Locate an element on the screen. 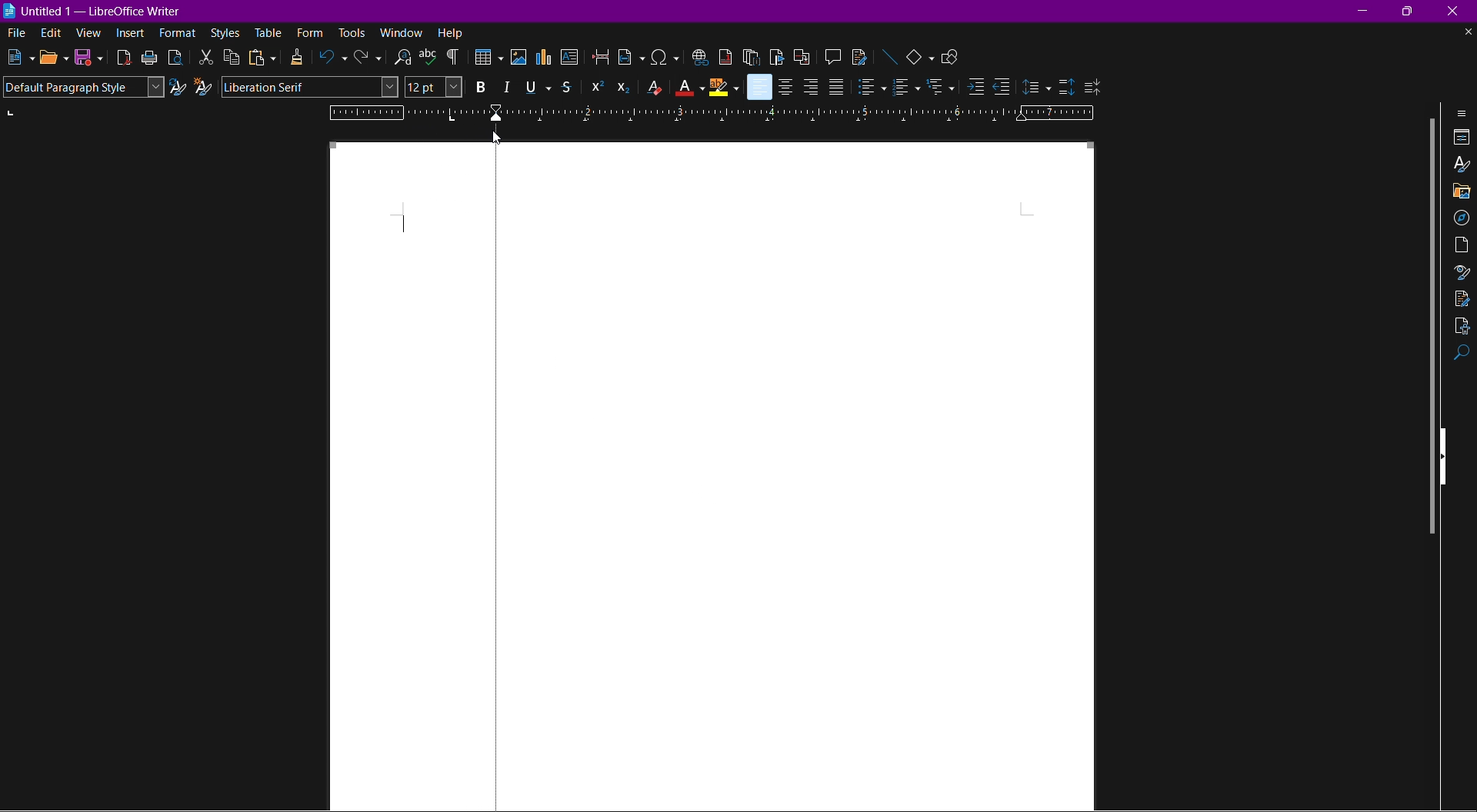  close current document is located at coordinates (1467, 32).